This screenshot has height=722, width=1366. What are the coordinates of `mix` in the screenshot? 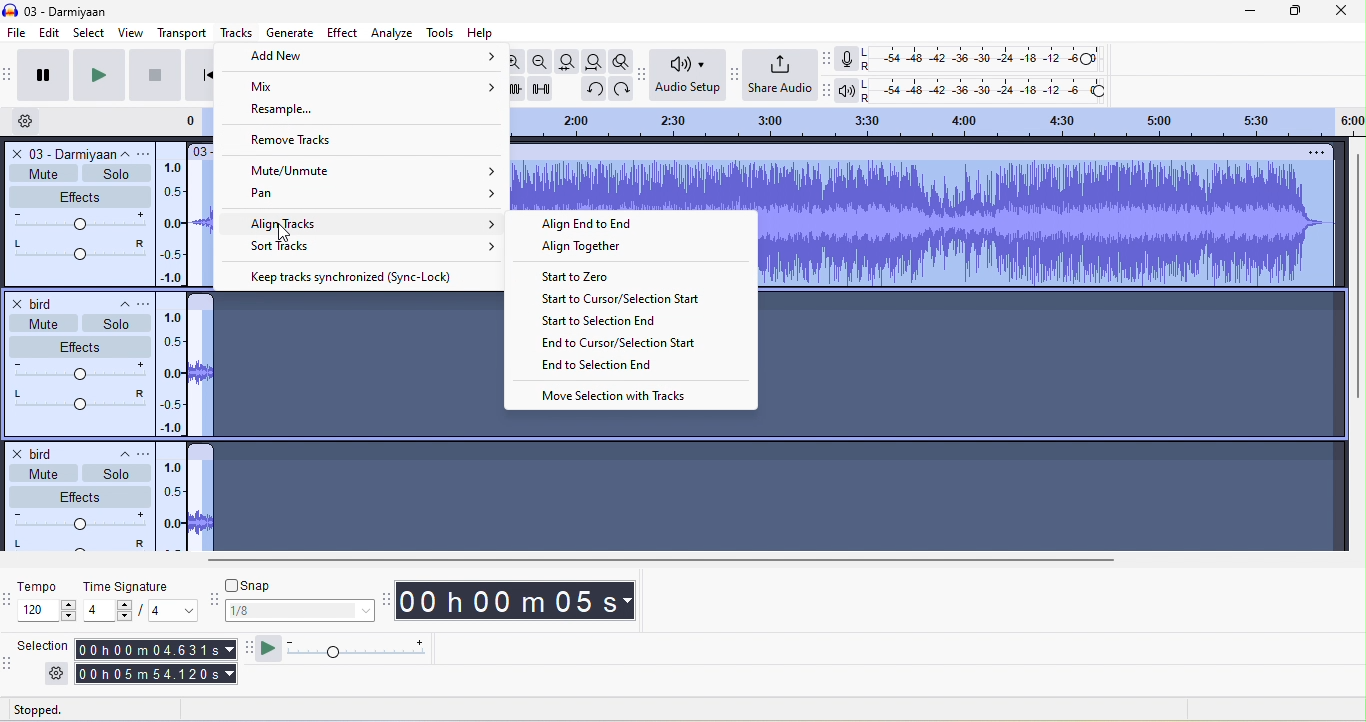 It's located at (361, 87).